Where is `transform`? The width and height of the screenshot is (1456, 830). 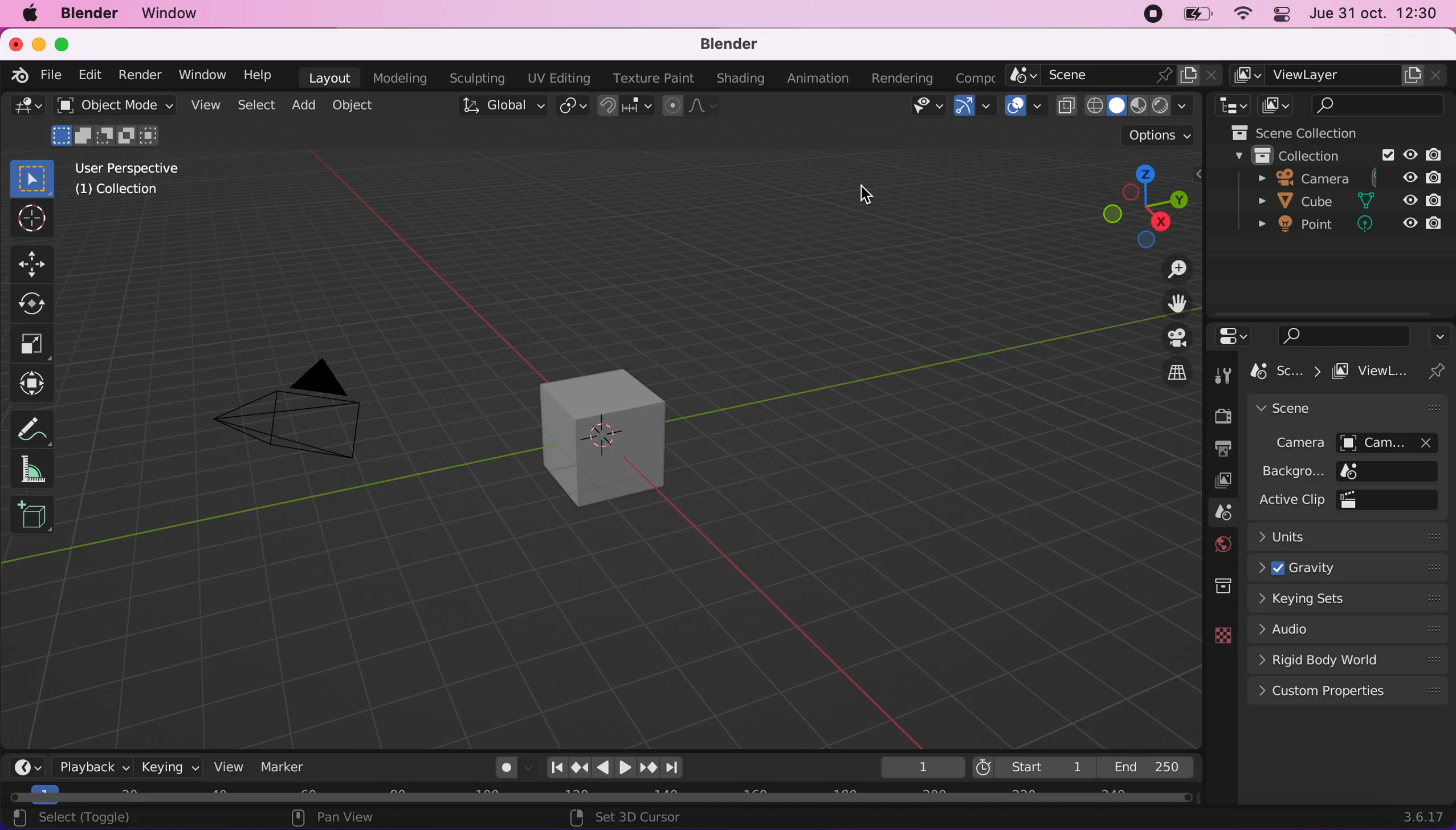 transform is located at coordinates (35, 385).